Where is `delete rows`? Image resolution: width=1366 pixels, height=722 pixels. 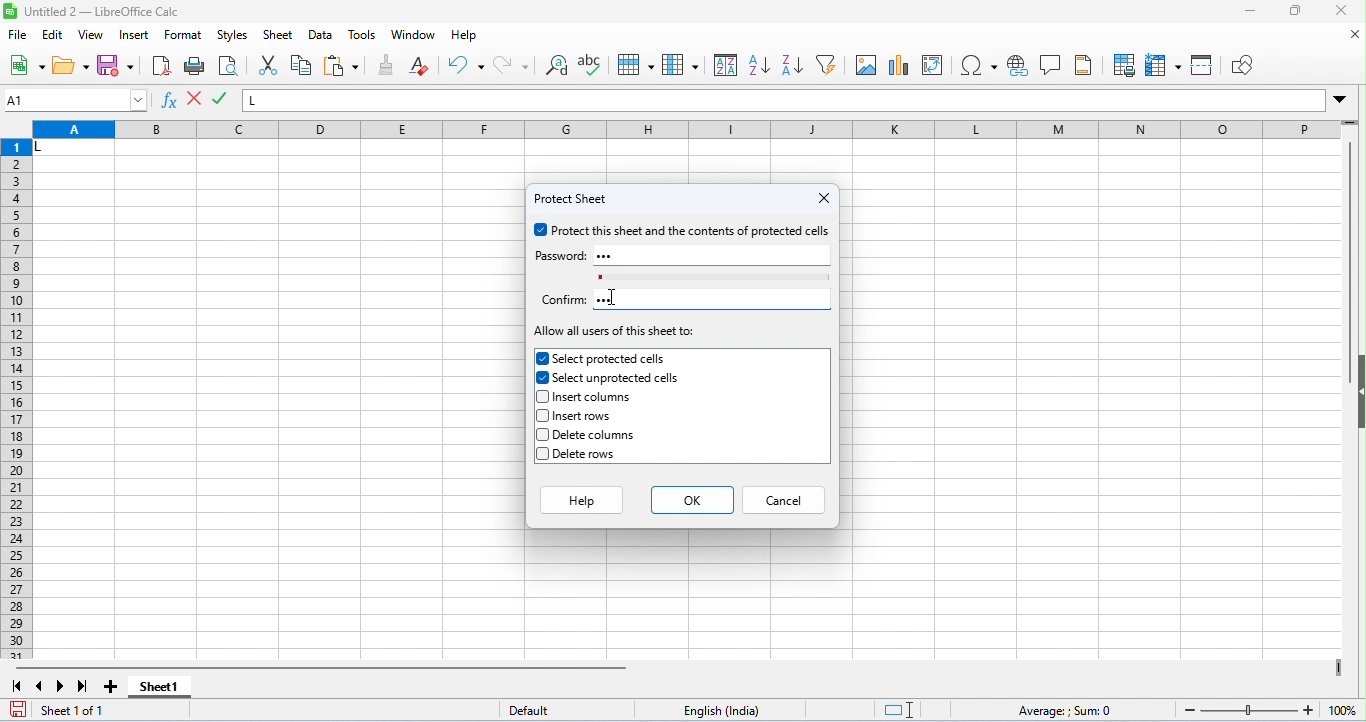
delete rows is located at coordinates (581, 455).